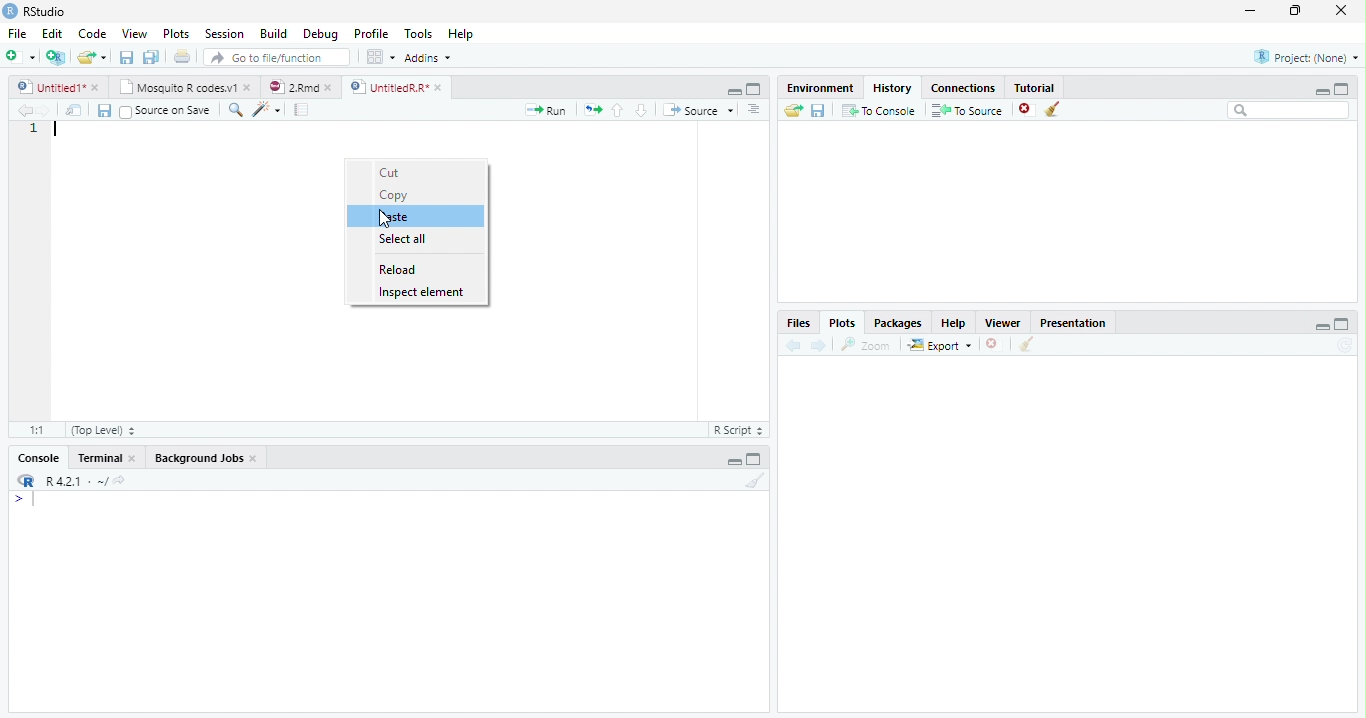  Describe the element at coordinates (821, 346) in the screenshot. I see `Next` at that location.